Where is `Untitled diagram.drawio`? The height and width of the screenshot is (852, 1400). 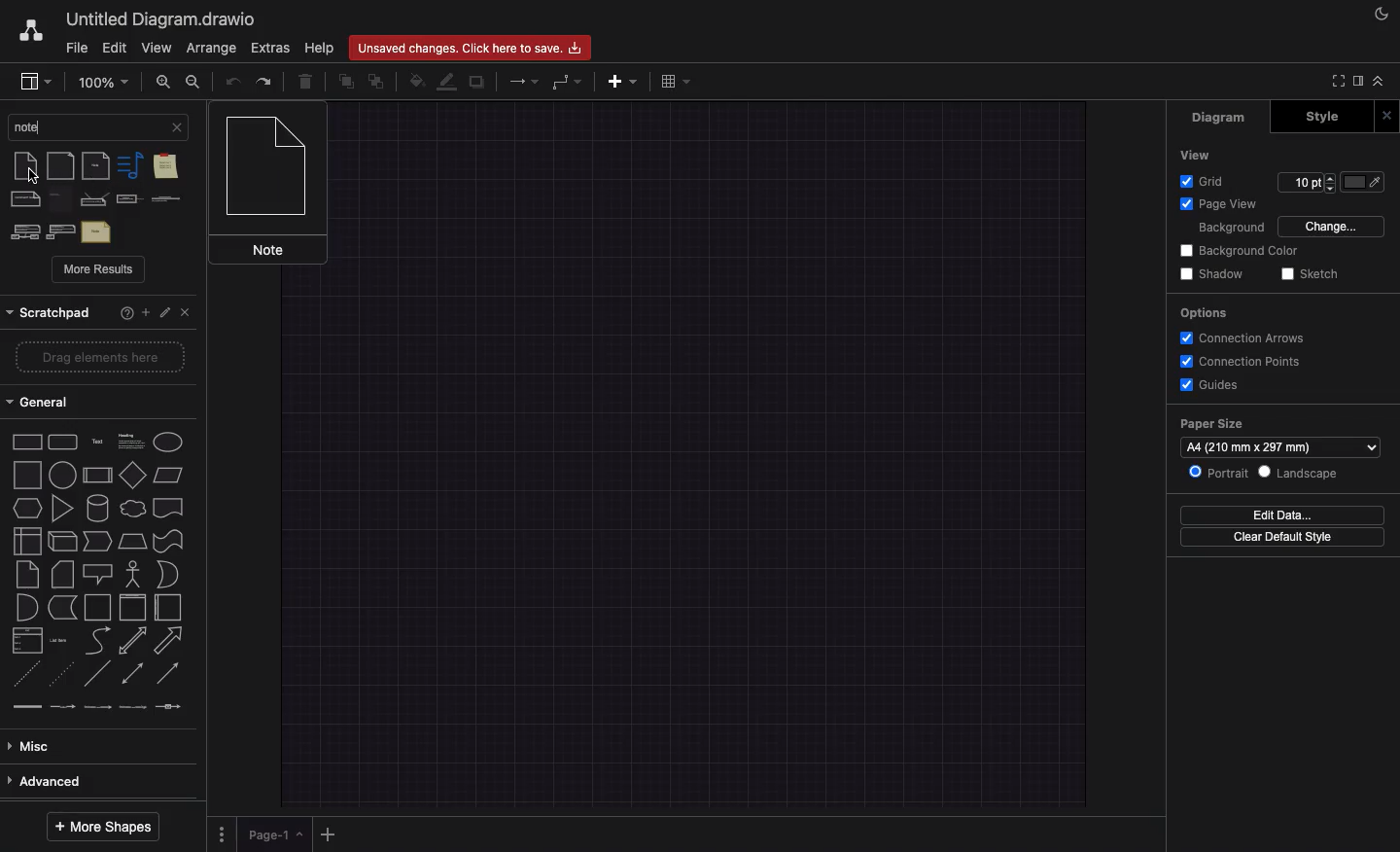
Untitled diagram.drawio is located at coordinates (163, 18).